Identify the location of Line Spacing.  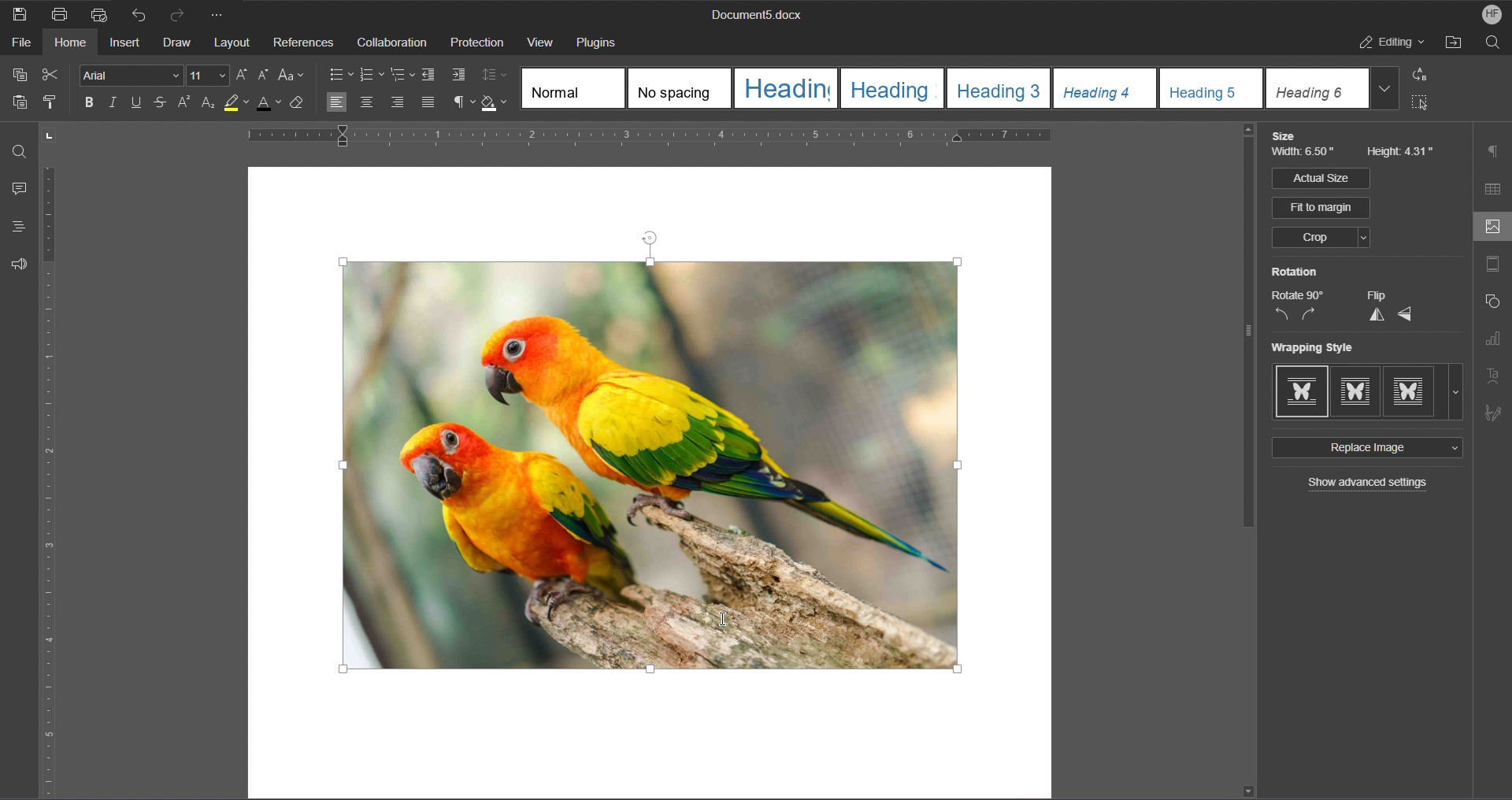
(497, 76).